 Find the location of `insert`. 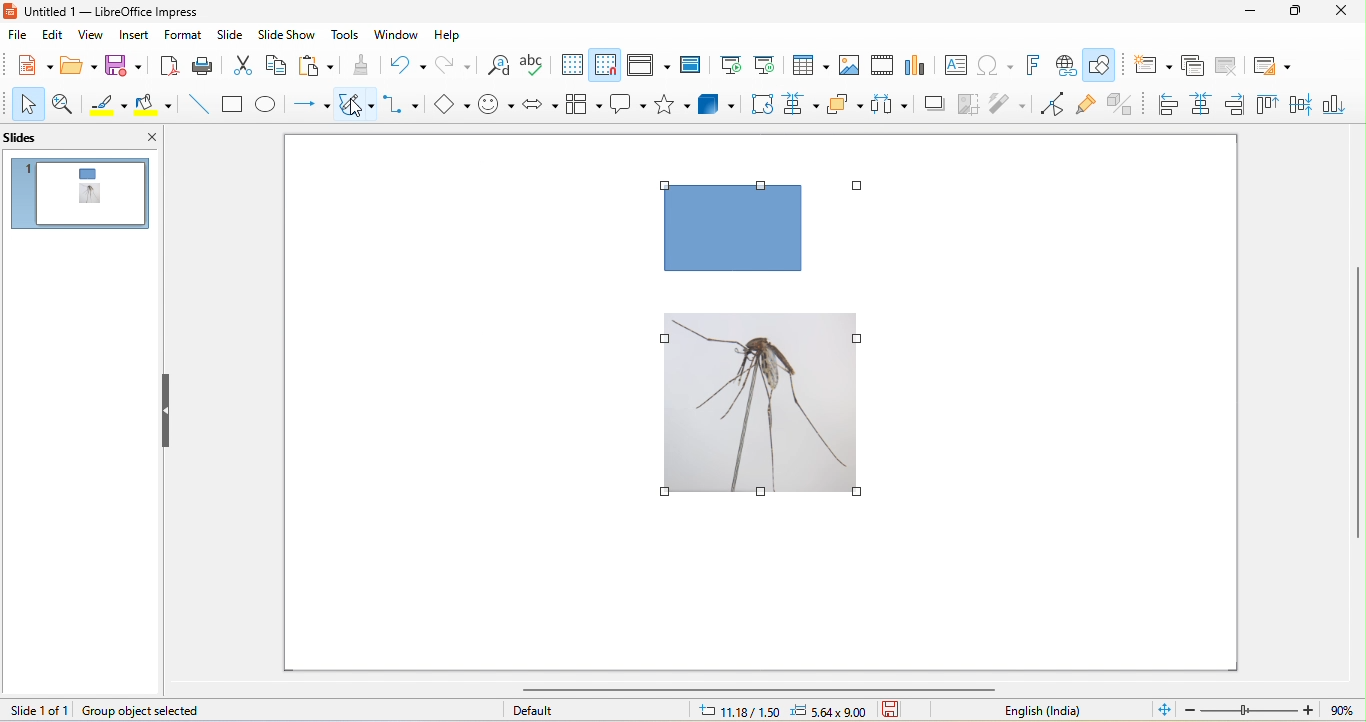

insert is located at coordinates (130, 39).